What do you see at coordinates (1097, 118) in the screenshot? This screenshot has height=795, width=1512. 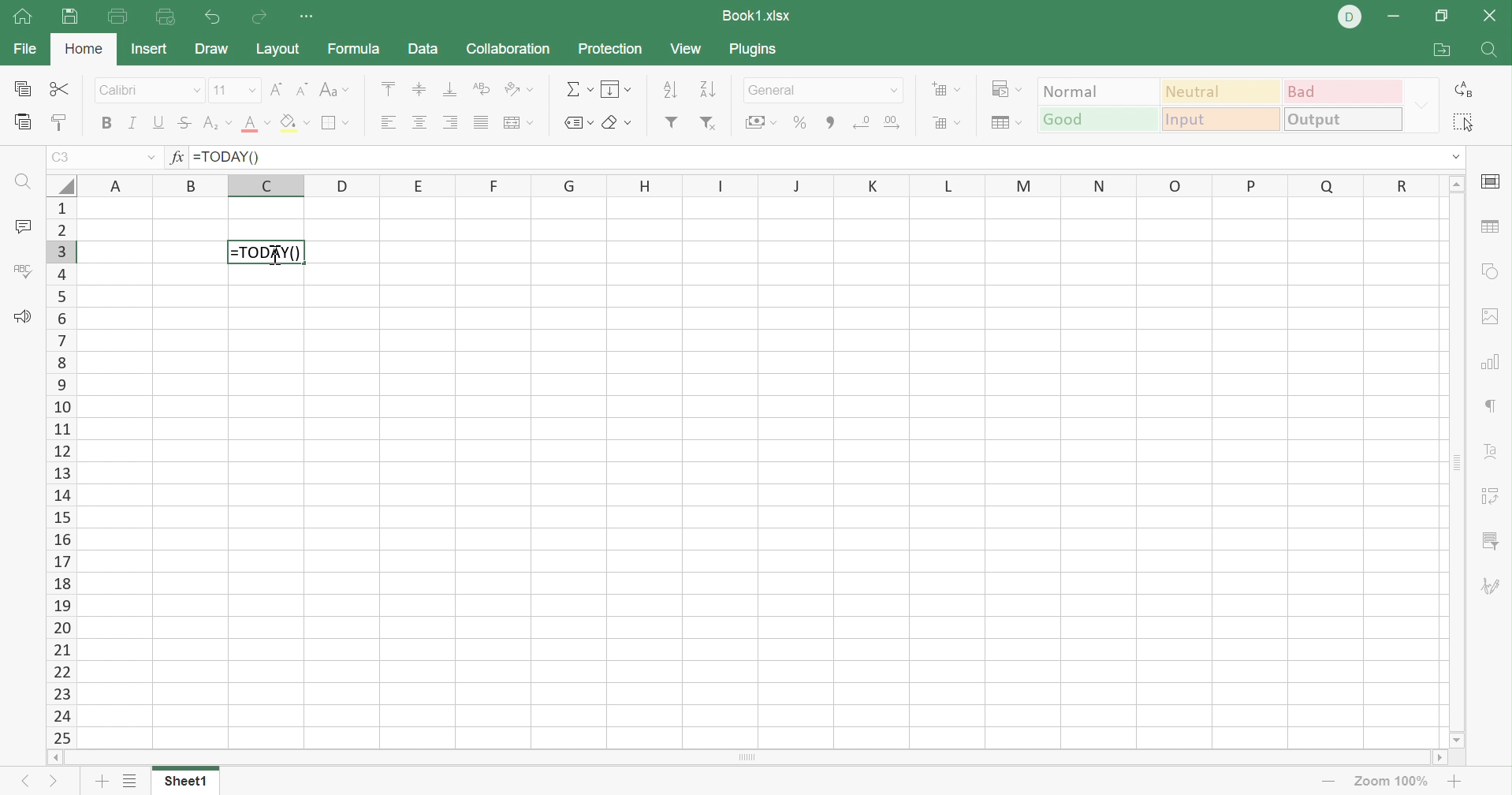 I see `Good` at bounding box center [1097, 118].